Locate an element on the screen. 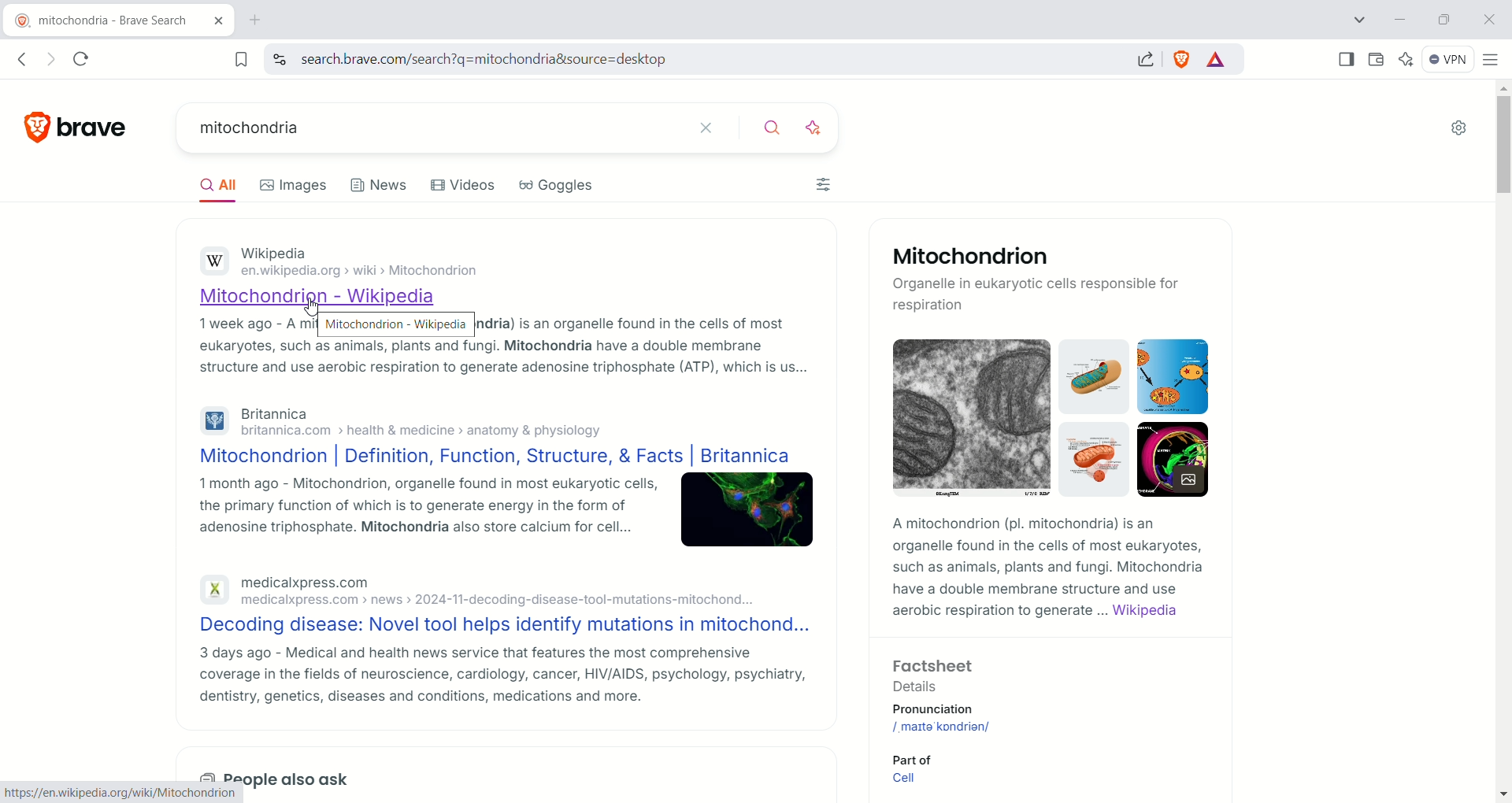 The height and width of the screenshot is (803, 1512). show sidebar is located at coordinates (1341, 60).